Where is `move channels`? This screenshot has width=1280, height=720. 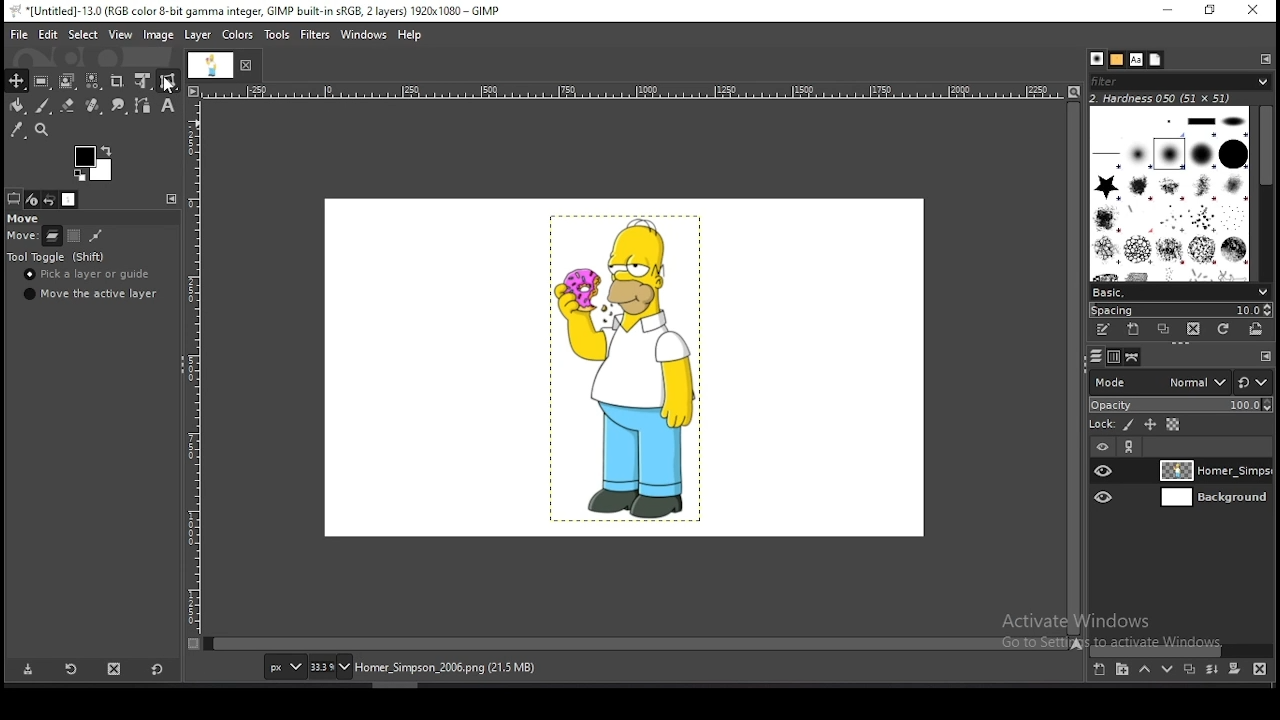
move channels is located at coordinates (72, 235).